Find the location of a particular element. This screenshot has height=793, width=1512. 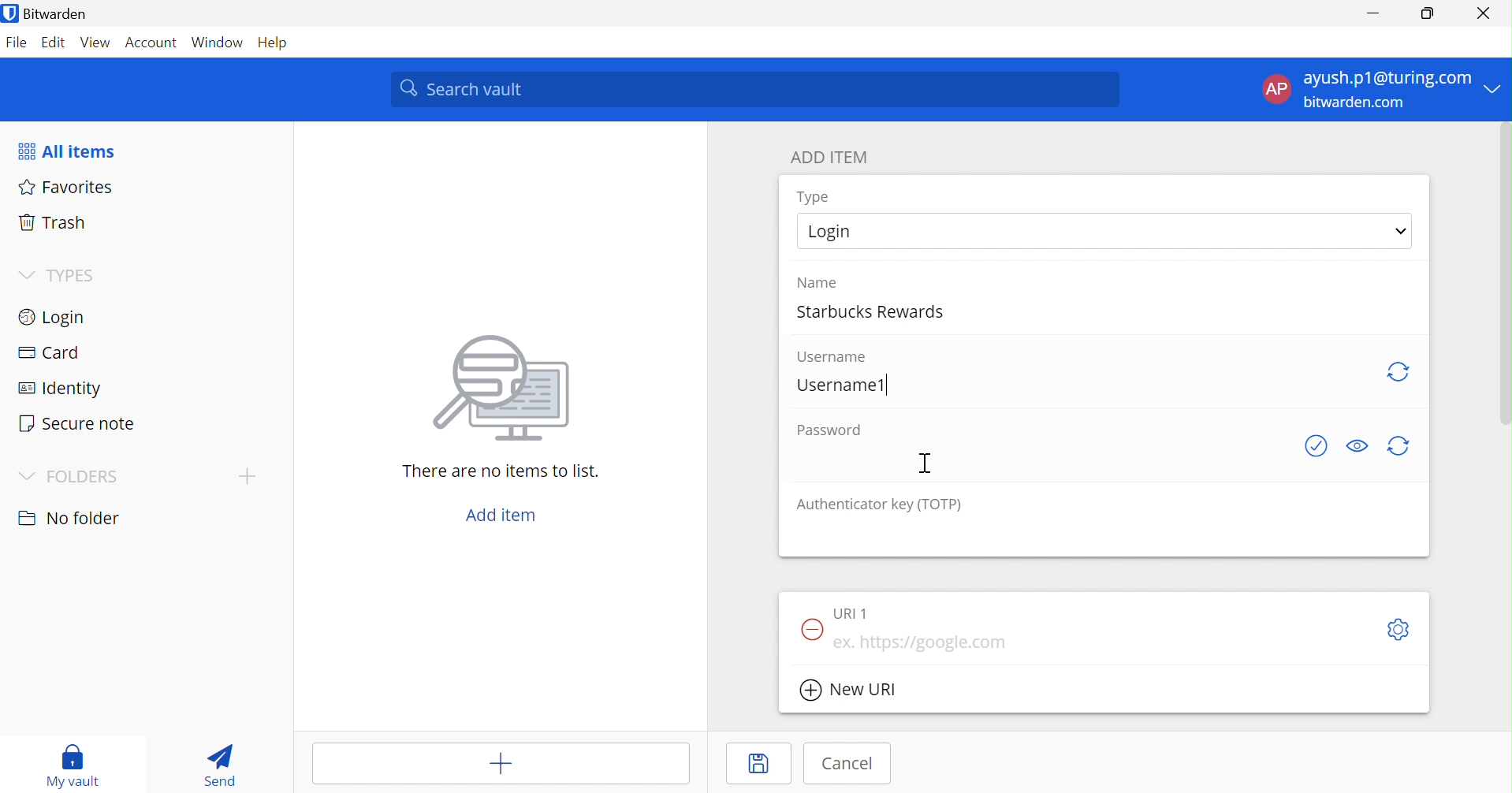

Card is located at coordinates (50, 352).